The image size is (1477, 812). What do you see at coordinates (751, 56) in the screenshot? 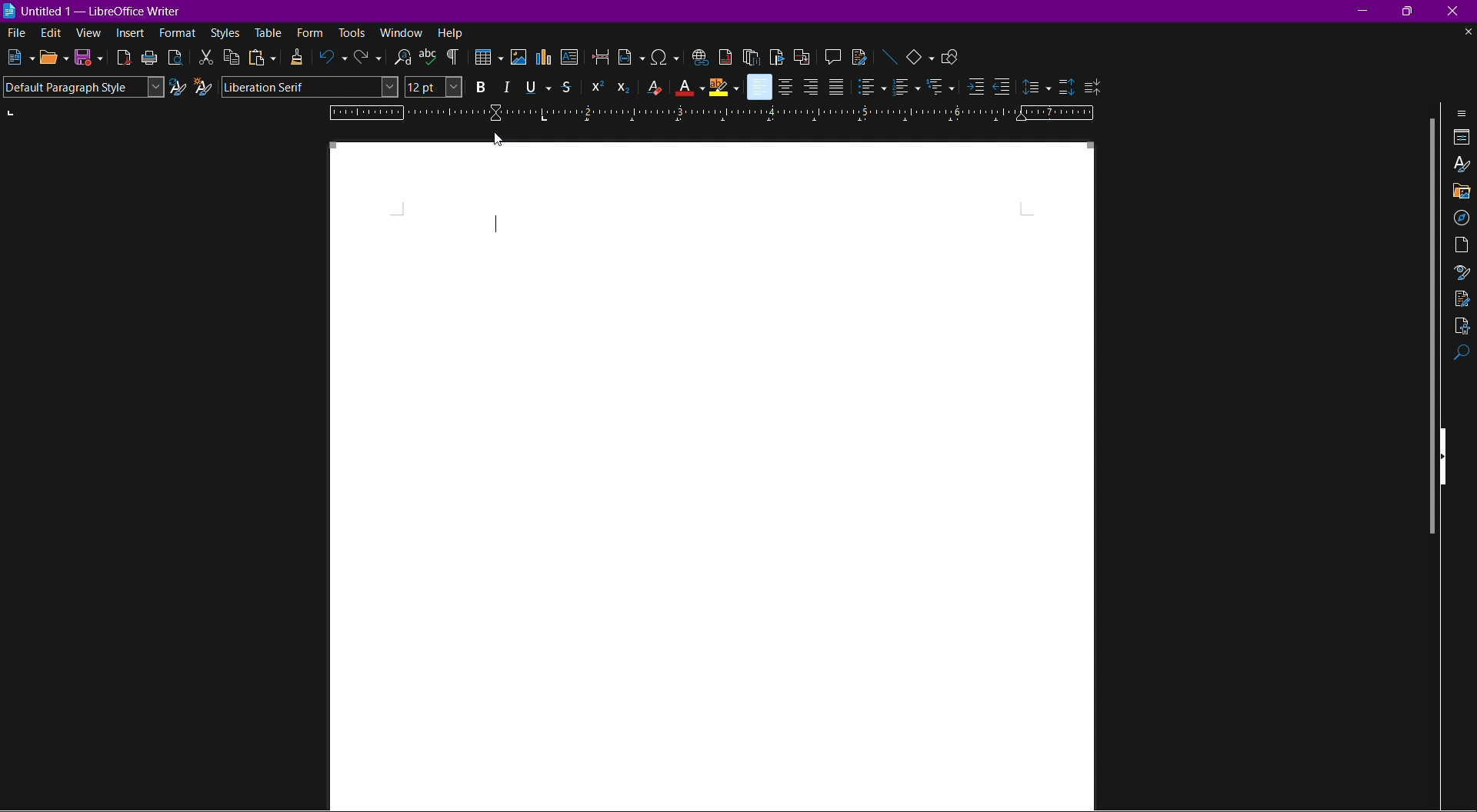
I see `Insert Endnote` at bounding box center [751, 56].